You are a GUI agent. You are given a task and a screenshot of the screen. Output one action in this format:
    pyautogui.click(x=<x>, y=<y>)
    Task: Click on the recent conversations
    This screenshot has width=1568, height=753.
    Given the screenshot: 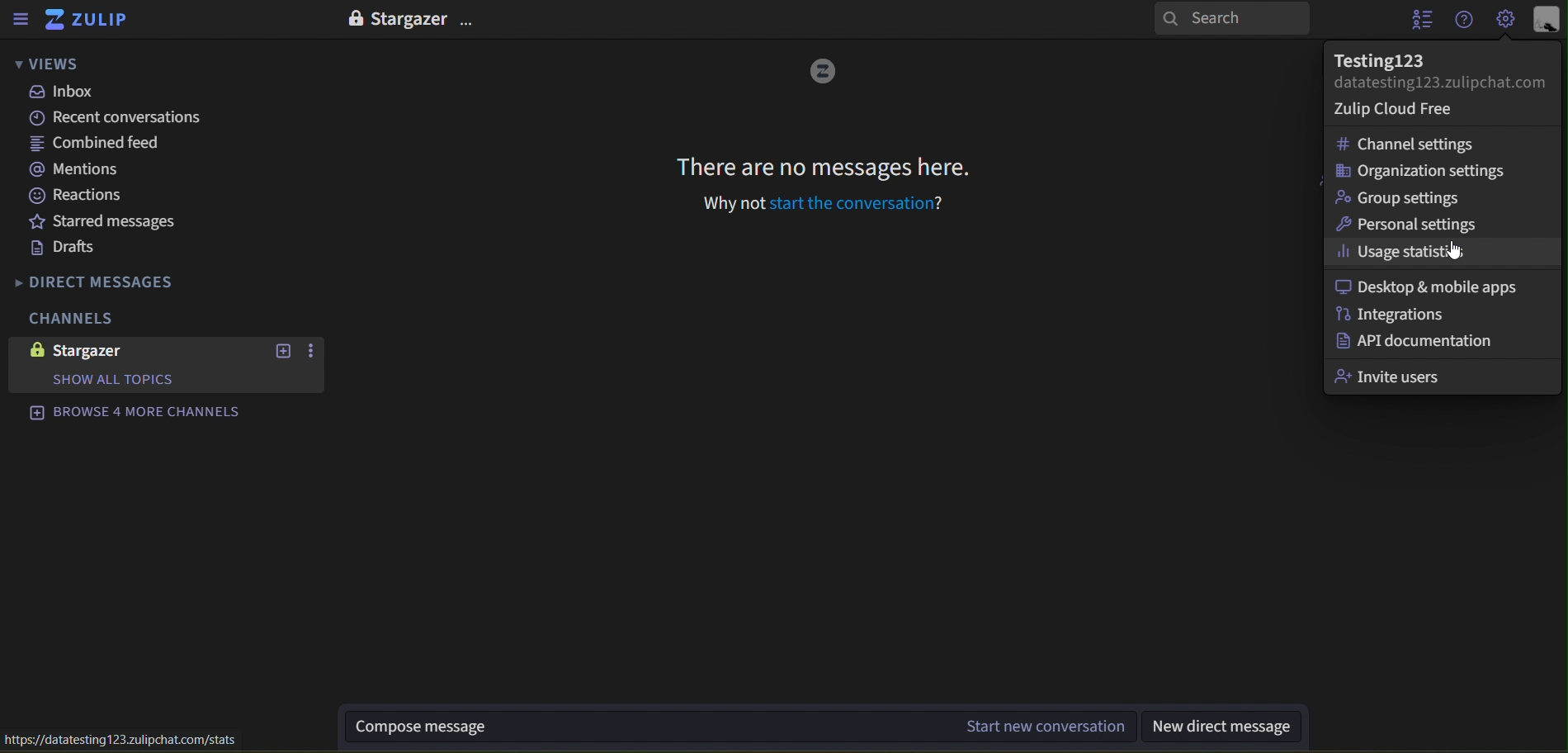 What is the action you would take?
    pyautogui.click(x=121, y=118)
    